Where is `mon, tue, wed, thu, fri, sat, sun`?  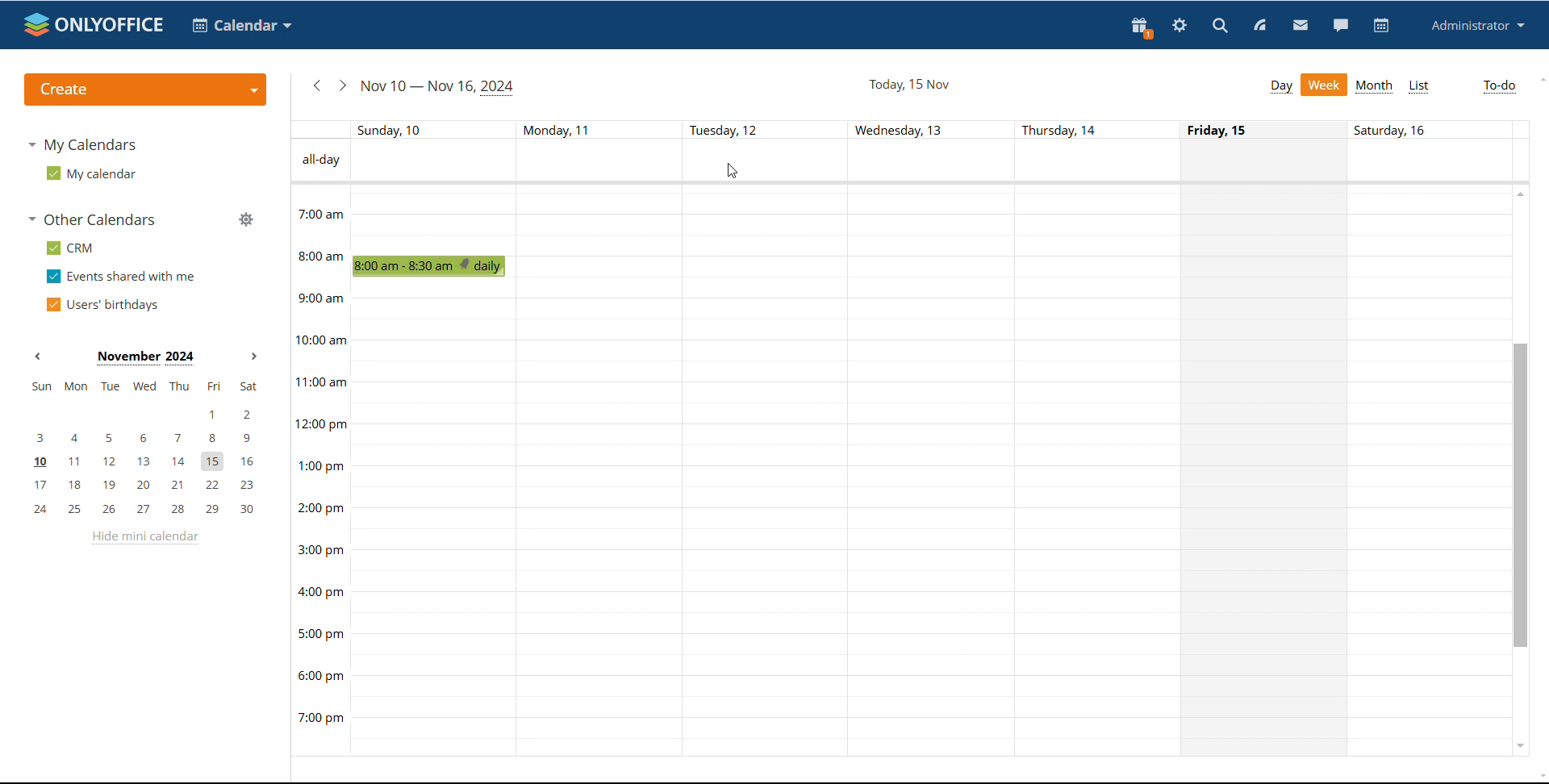
mon, tue, wed, thu, fri, sat, sun is located at coordinates (144, 387).